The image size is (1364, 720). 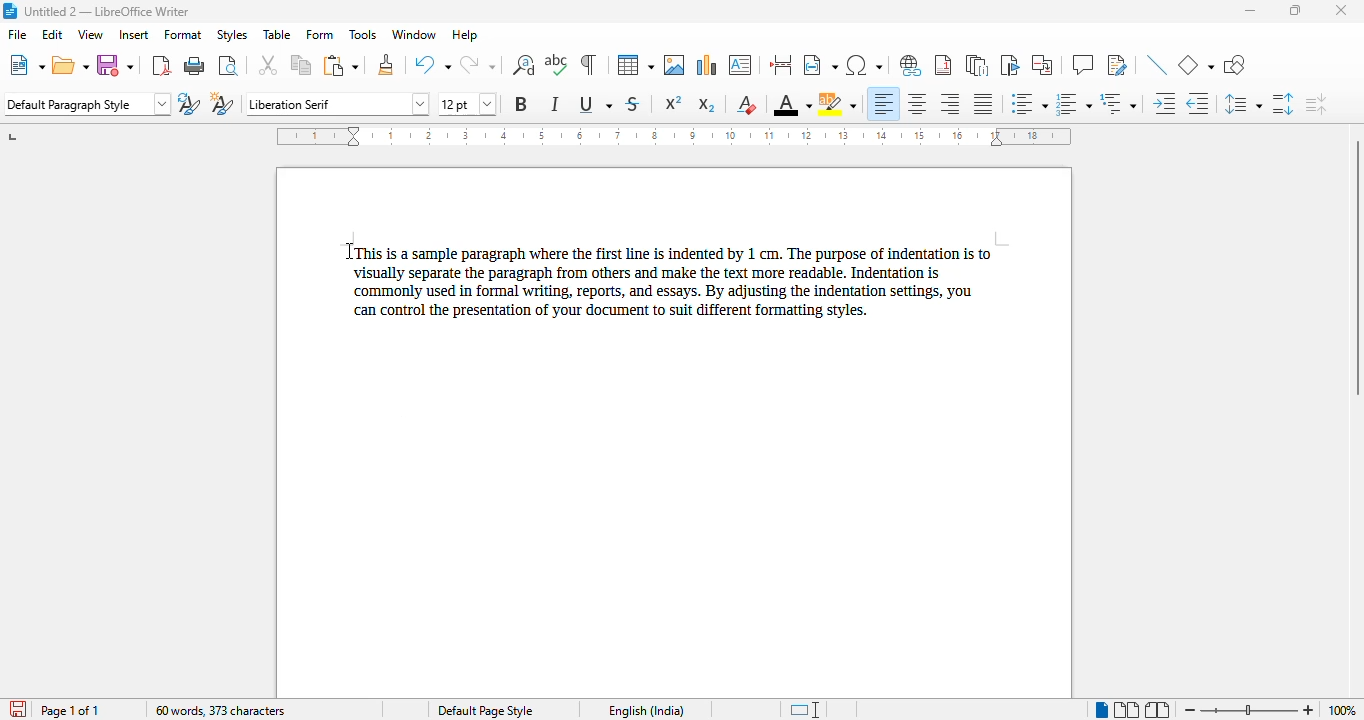 What do you see at coordinates (414, 34) in the screenshot?
I see `window` at bounding box center [414, 34].